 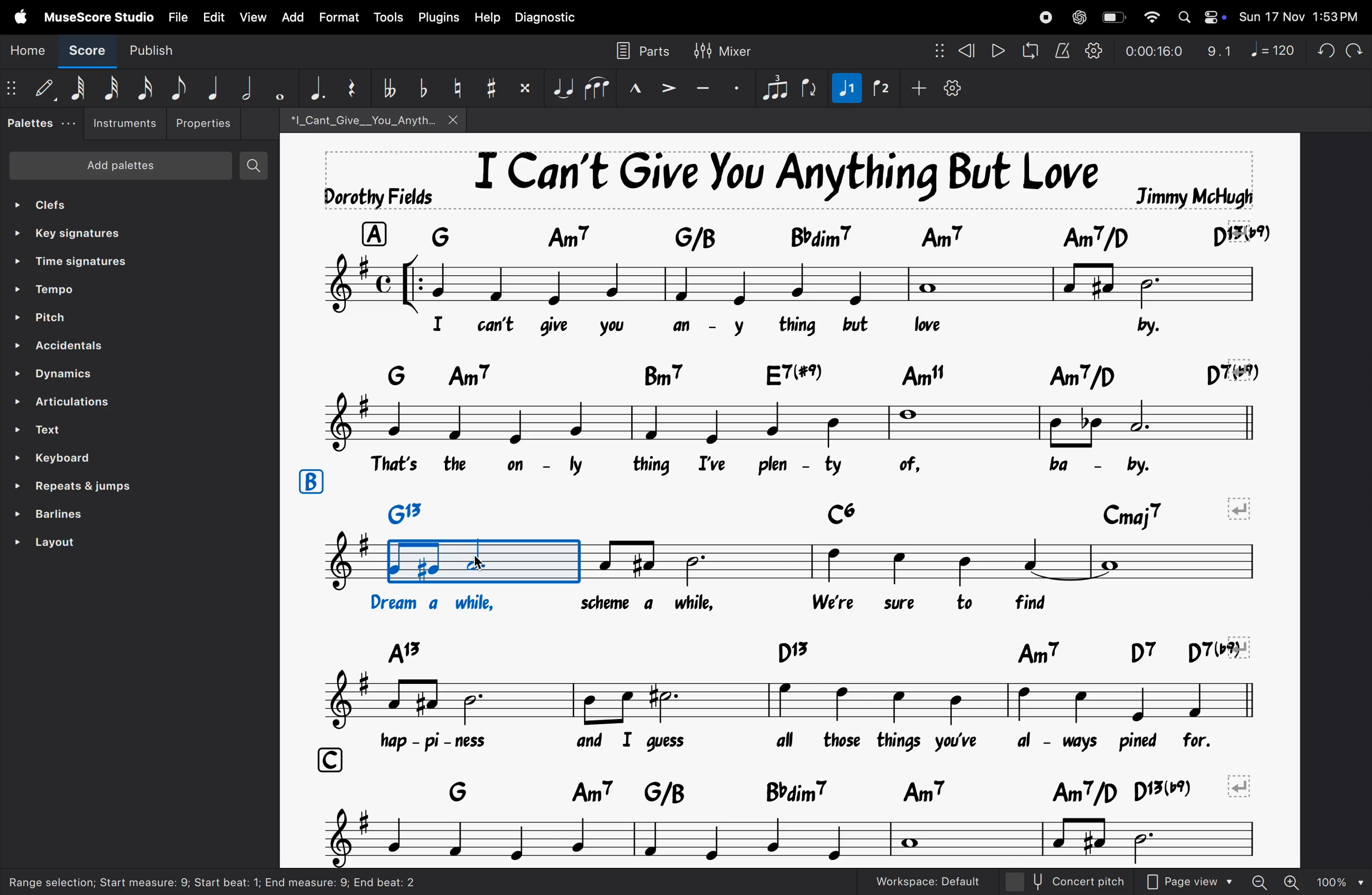 I want to click on Default, so click(x=43, y=88).